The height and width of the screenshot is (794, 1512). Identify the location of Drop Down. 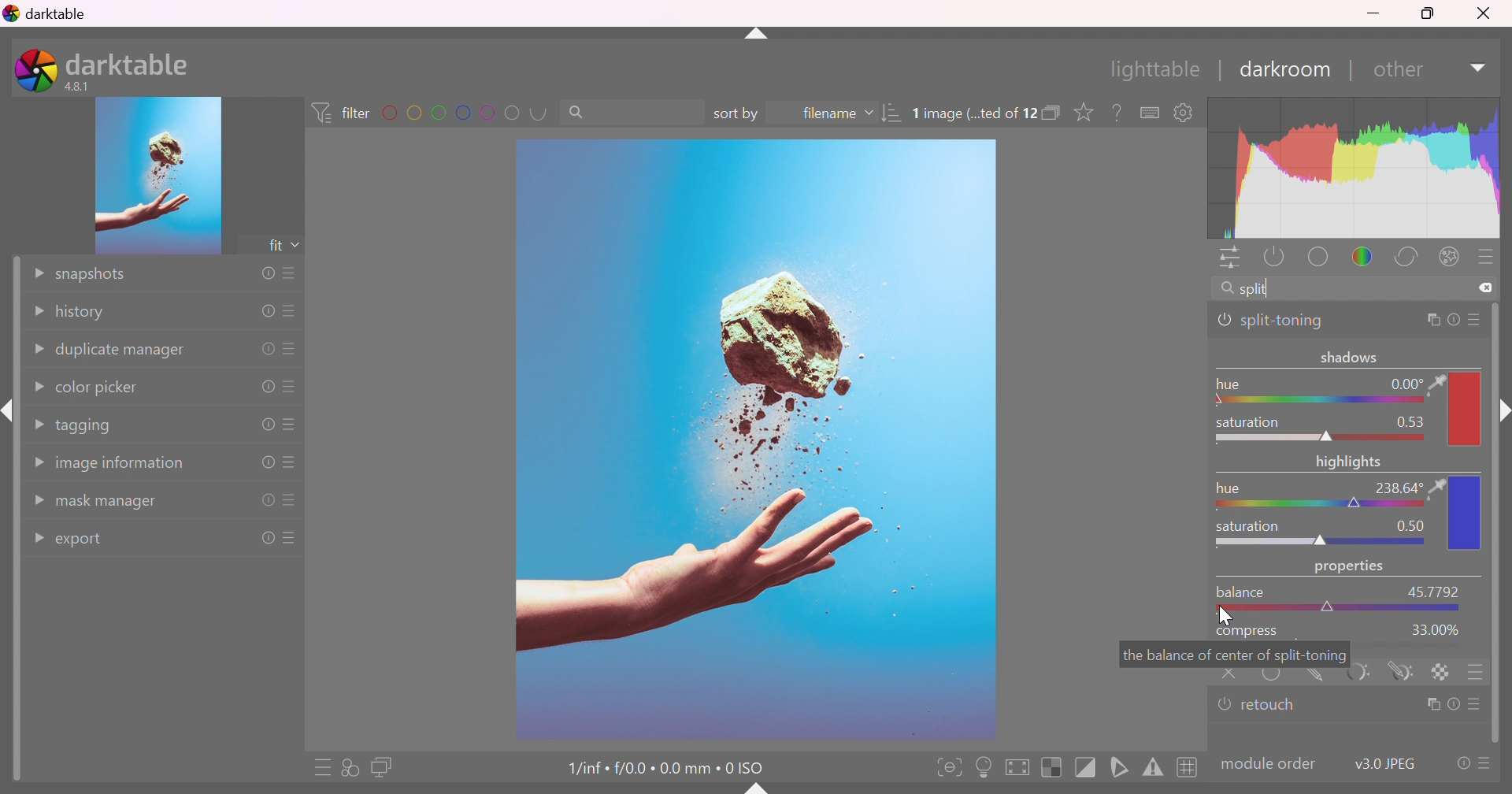
(37, 273).